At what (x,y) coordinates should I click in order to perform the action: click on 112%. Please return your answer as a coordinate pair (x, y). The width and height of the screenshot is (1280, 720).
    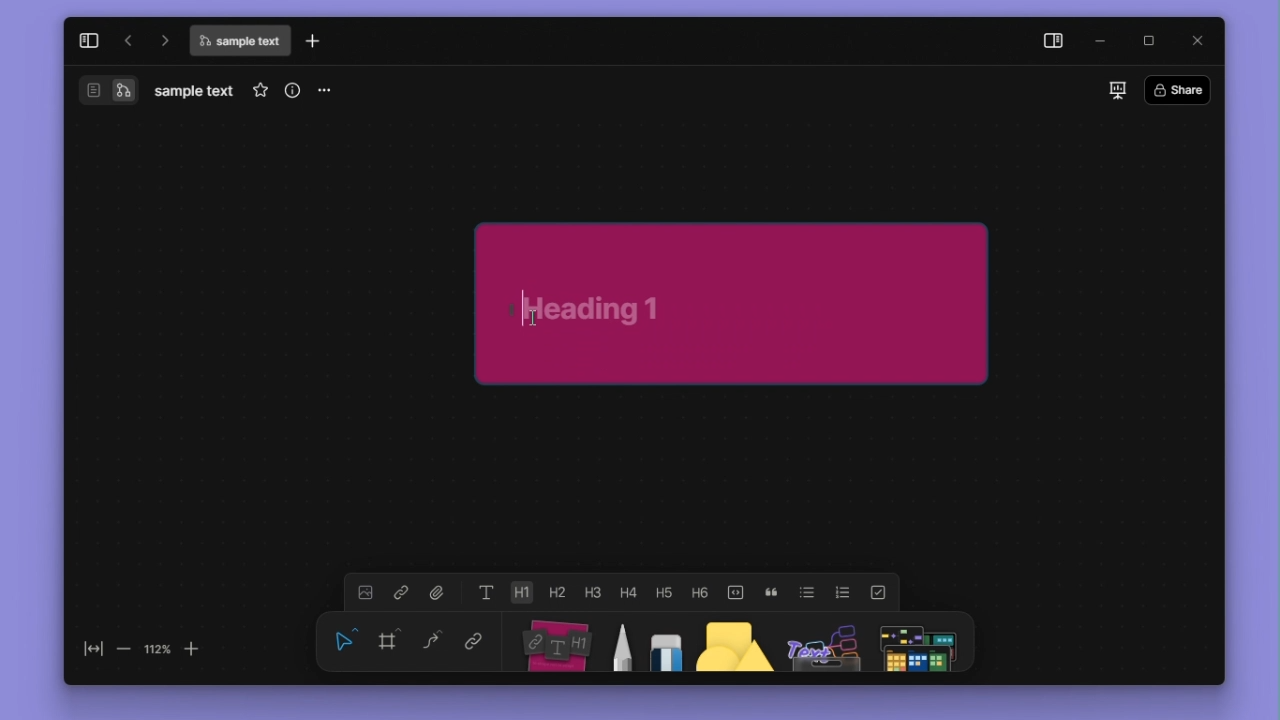
    Looking at the image, I should click on (157, 650).